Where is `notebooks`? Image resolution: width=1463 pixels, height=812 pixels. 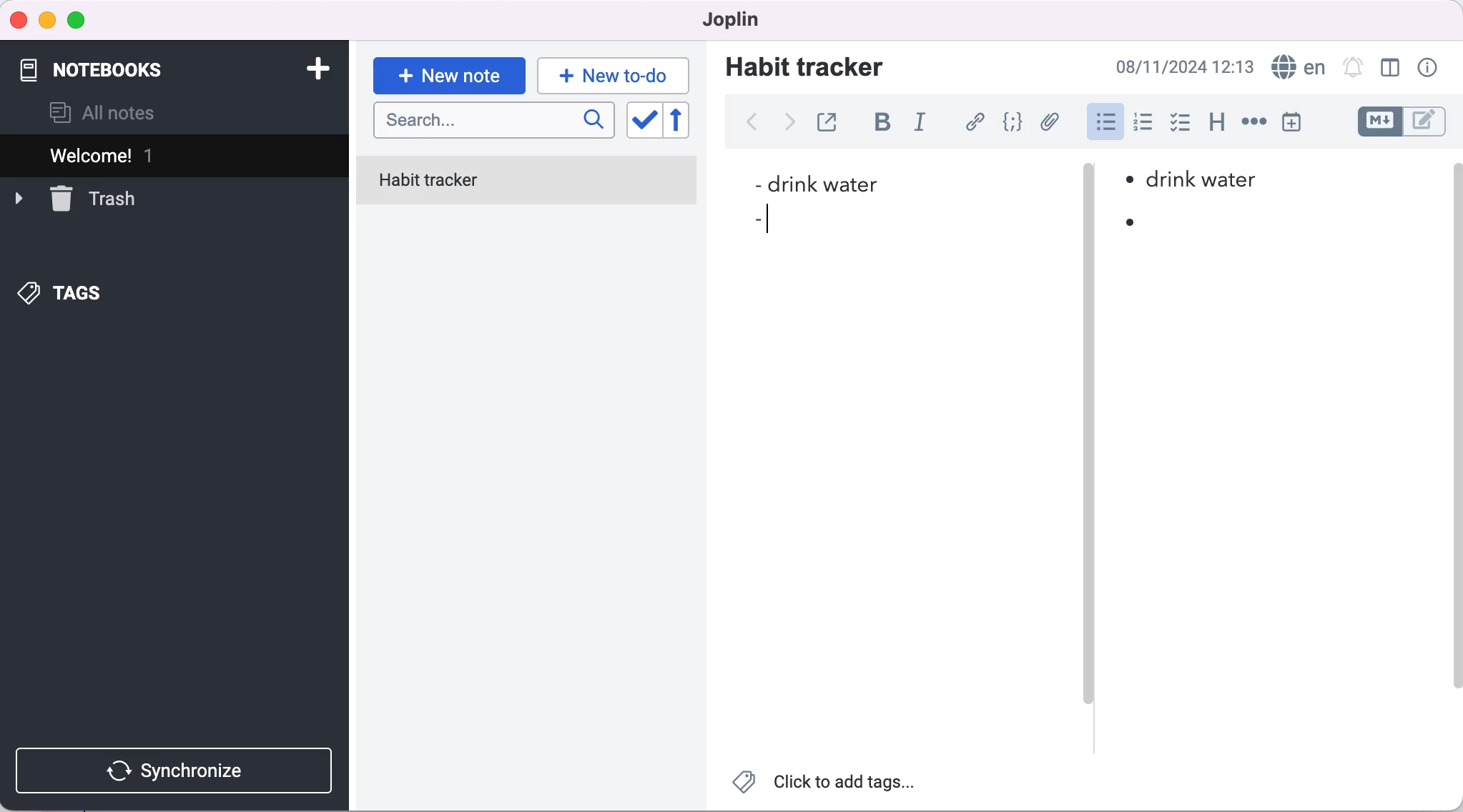
notebooks is located at coordinates (114, 63).